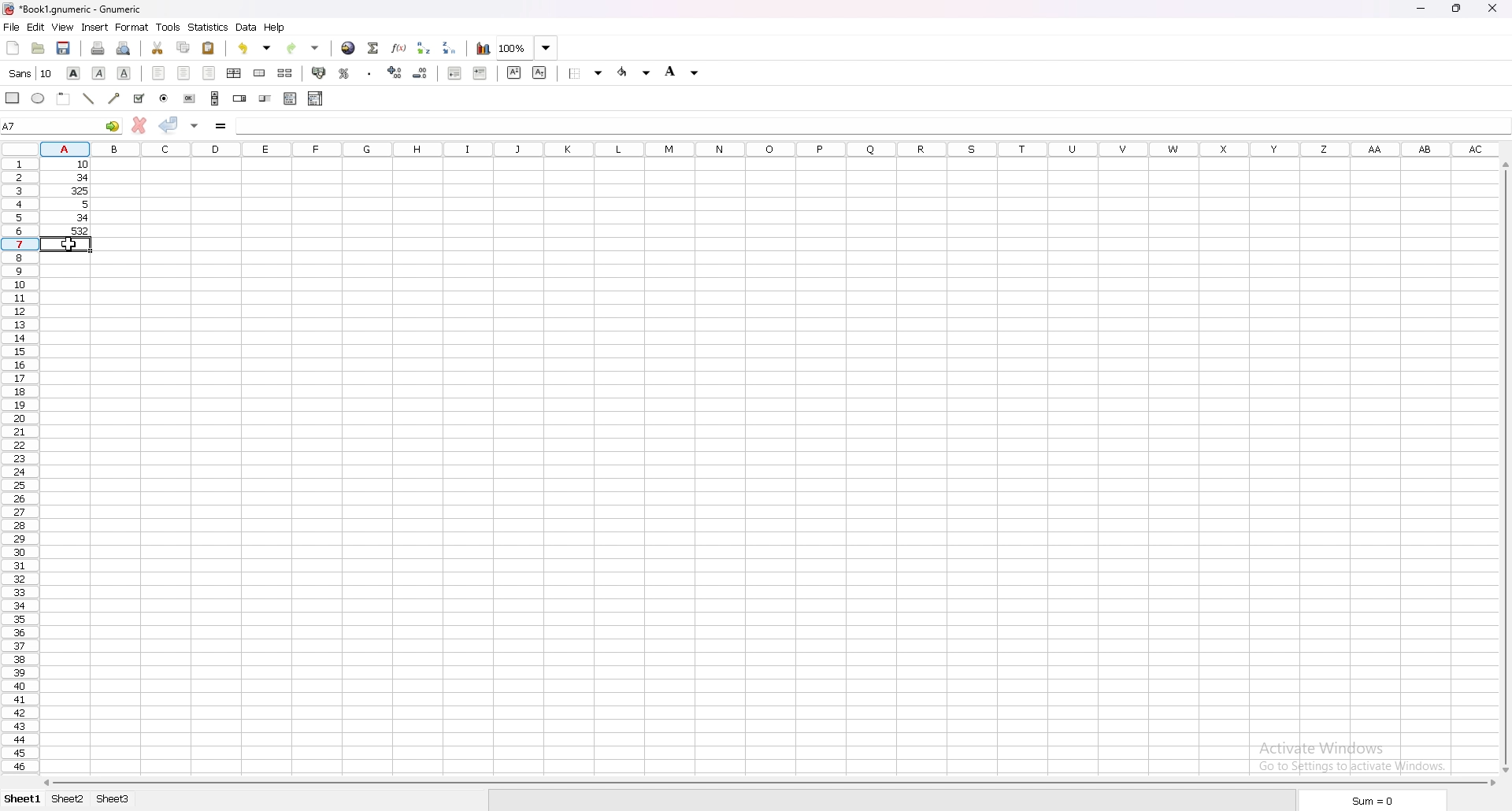 This screenshot has width=1512, height=811. I want to click on ellipse, so click(38, 97).